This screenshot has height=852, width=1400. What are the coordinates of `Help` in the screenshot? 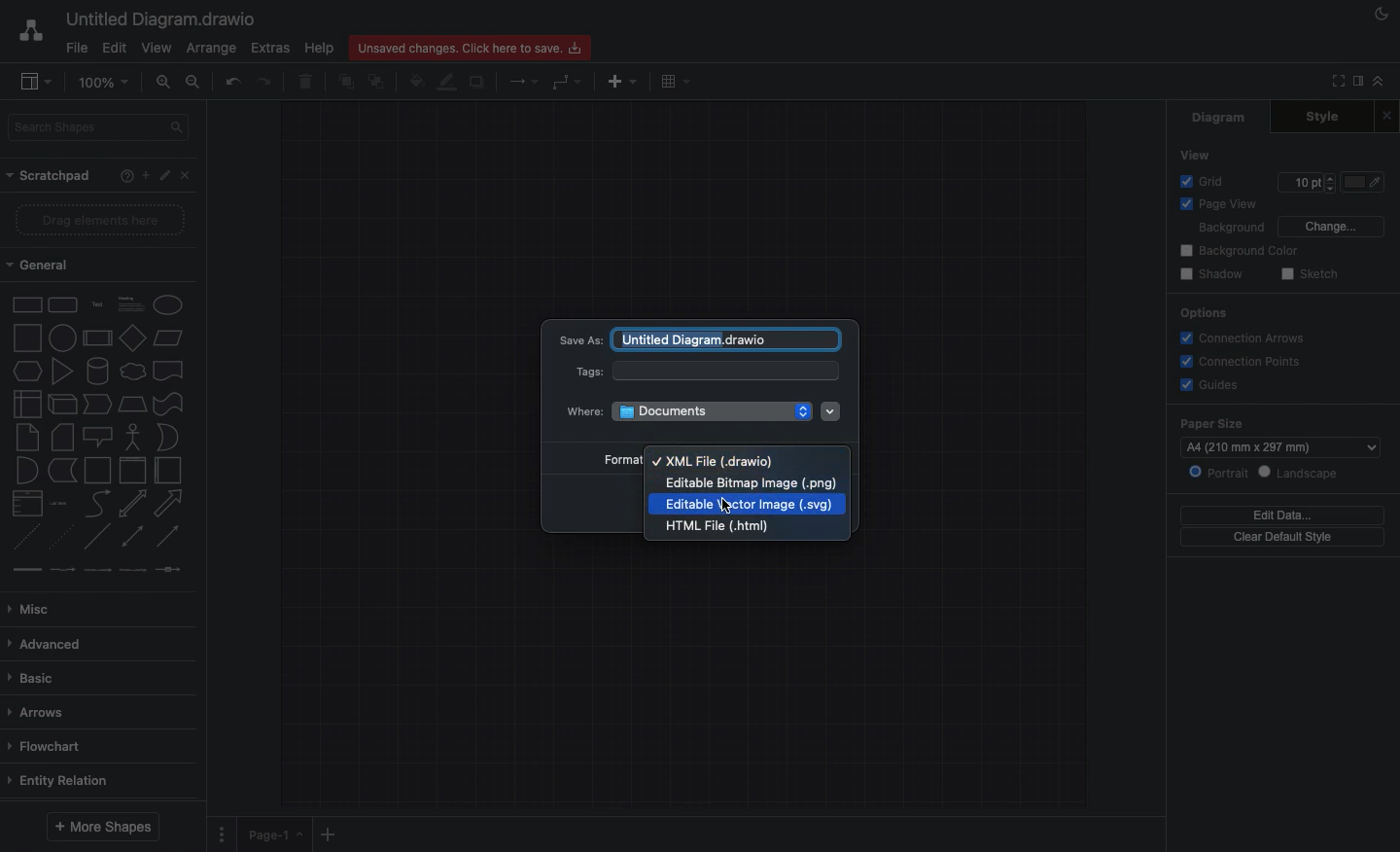 It's located at (321, 49).